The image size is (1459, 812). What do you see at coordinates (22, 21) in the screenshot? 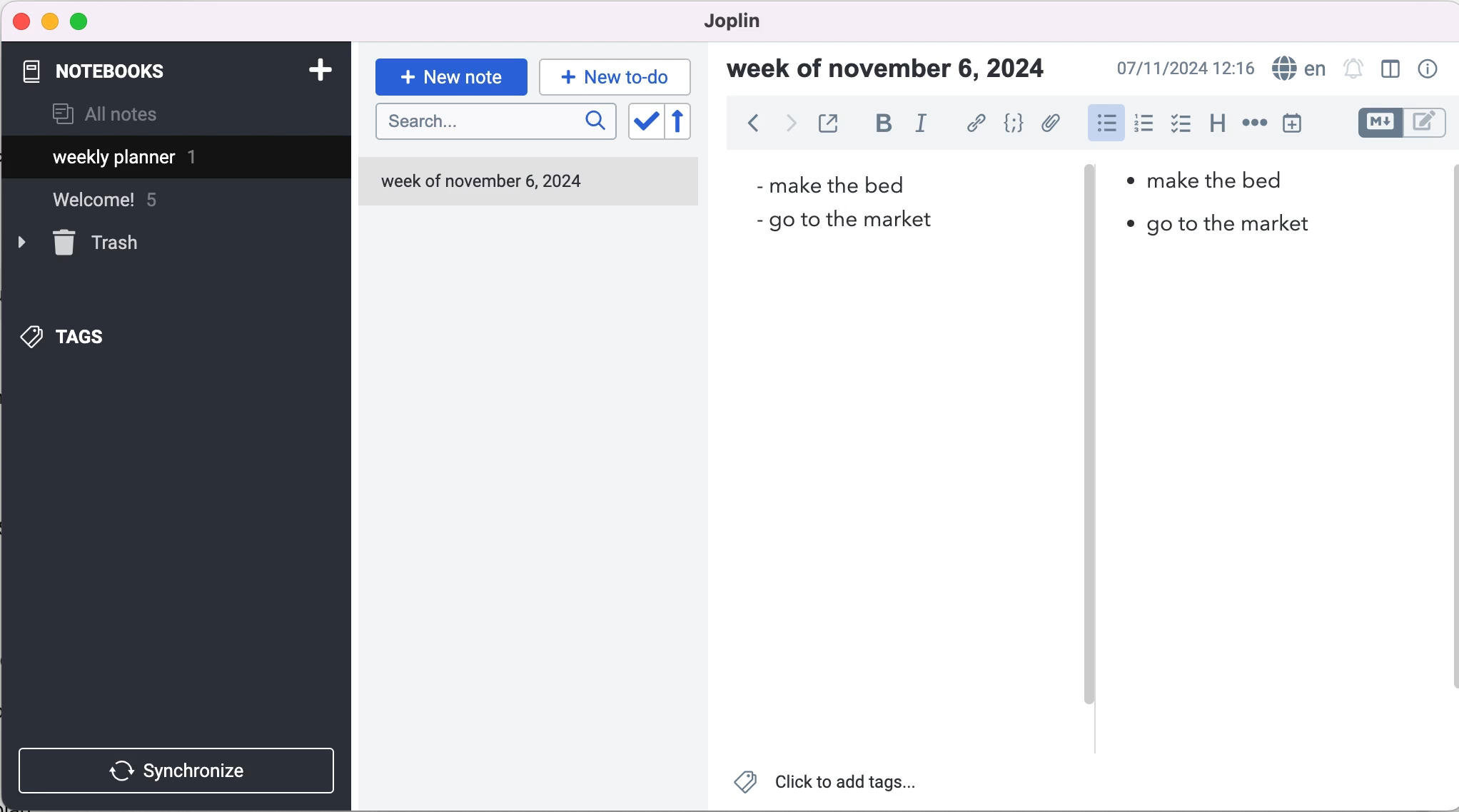
I see `close` at bounding box center [22, 21].